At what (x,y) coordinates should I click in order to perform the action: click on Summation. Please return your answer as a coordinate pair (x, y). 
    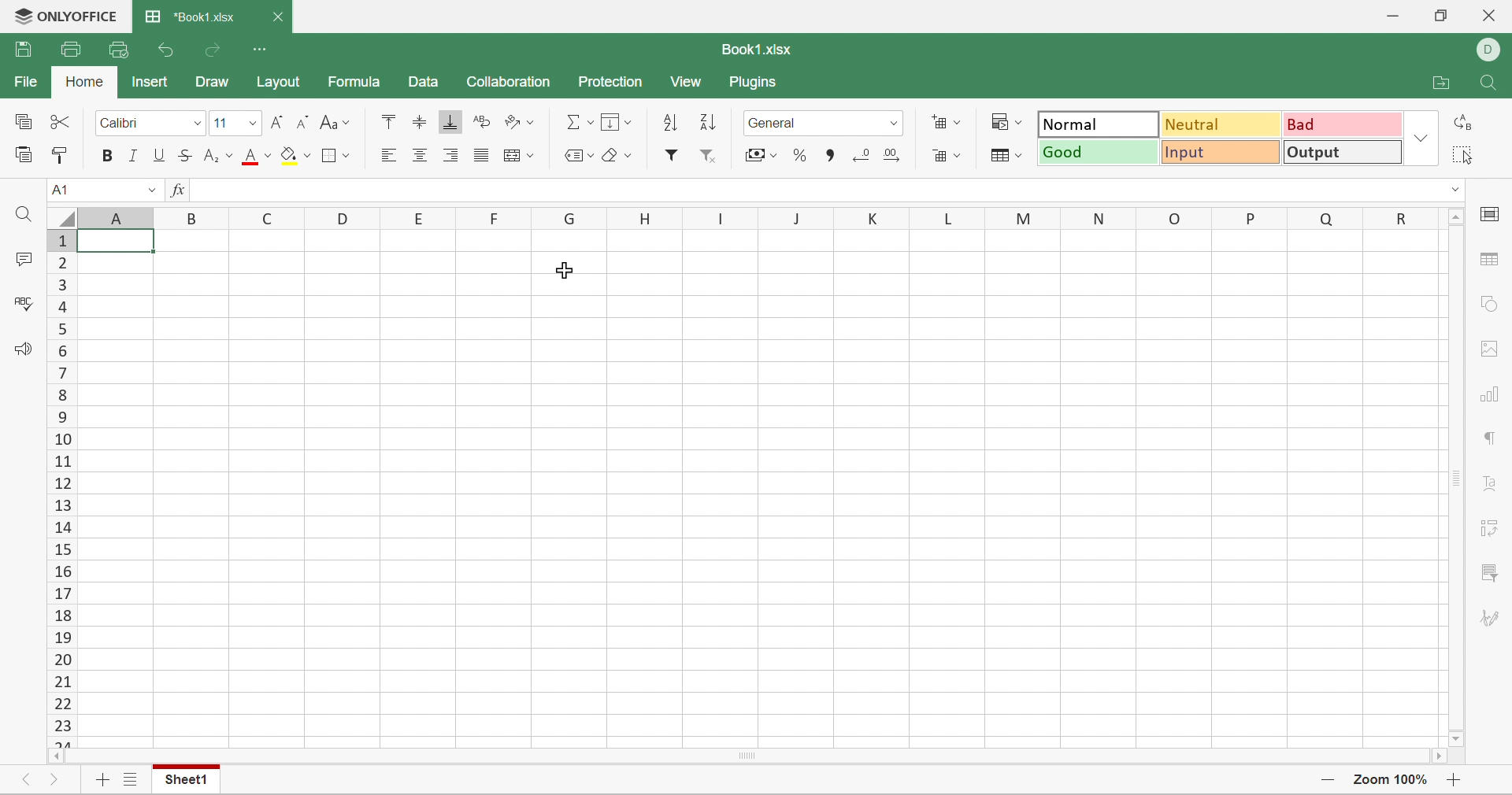
    Looking at the image, I should click on (579, 124).